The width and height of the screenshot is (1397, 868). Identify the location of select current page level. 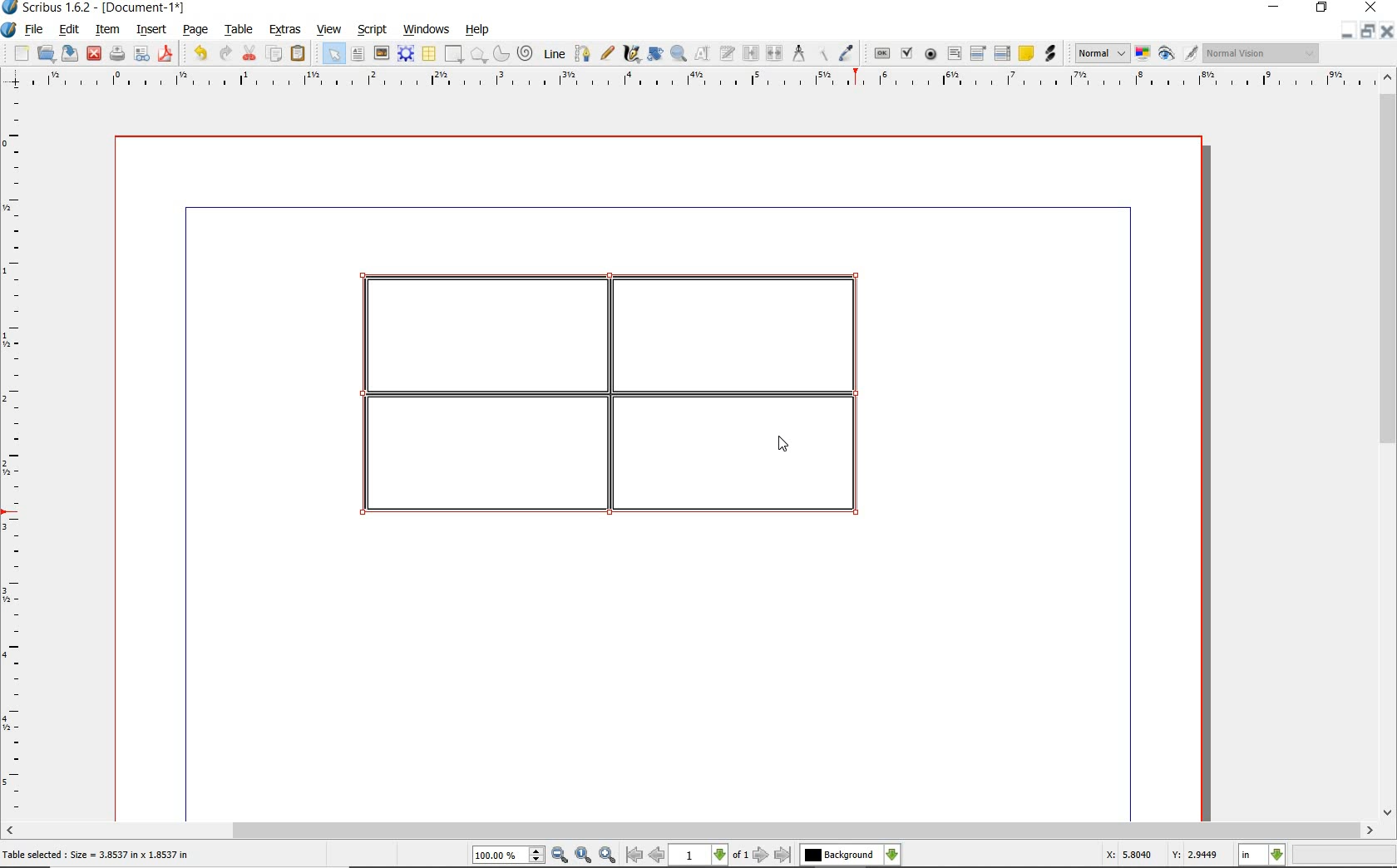
(709, 855).